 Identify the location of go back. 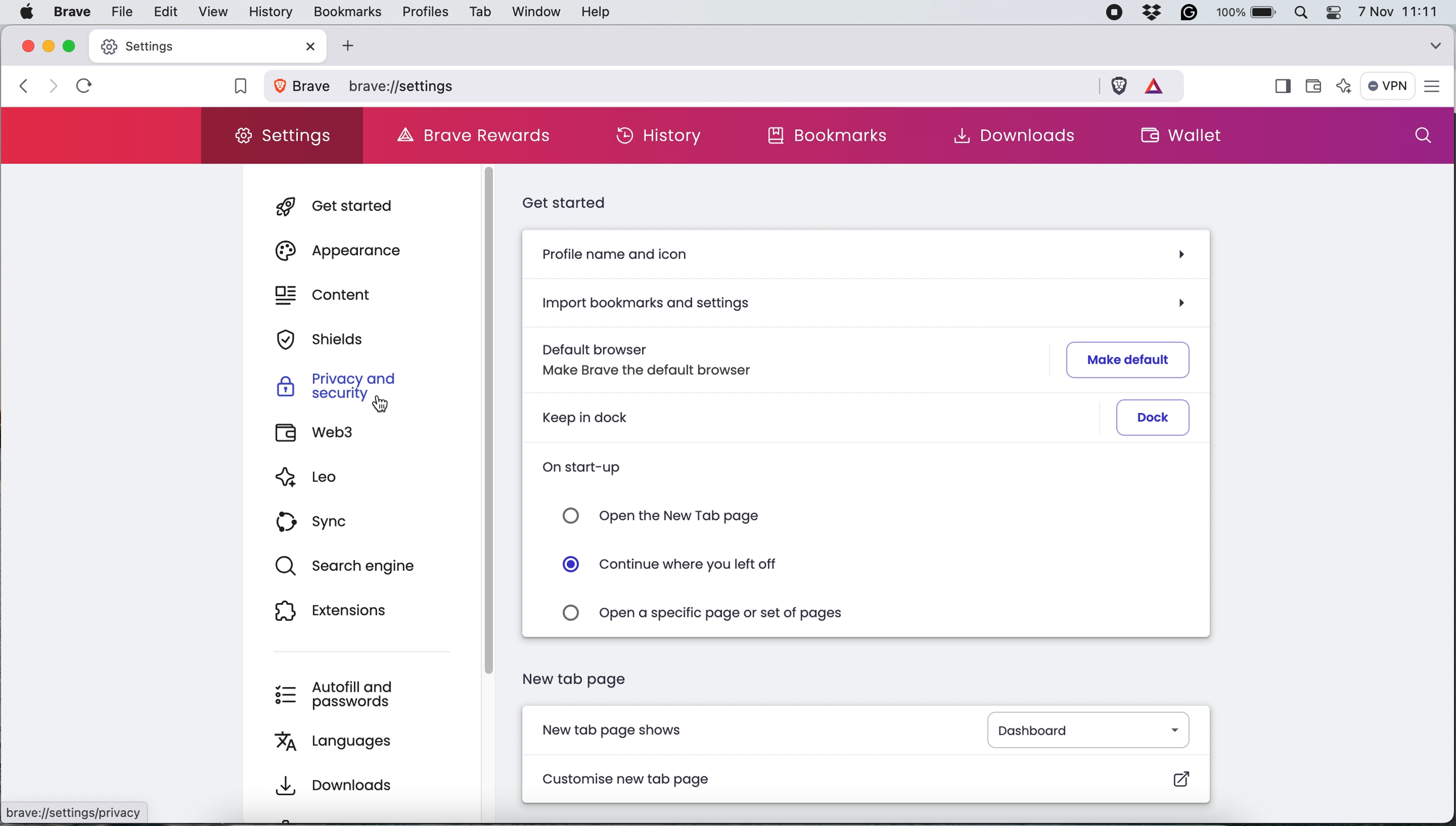
(23, 85).